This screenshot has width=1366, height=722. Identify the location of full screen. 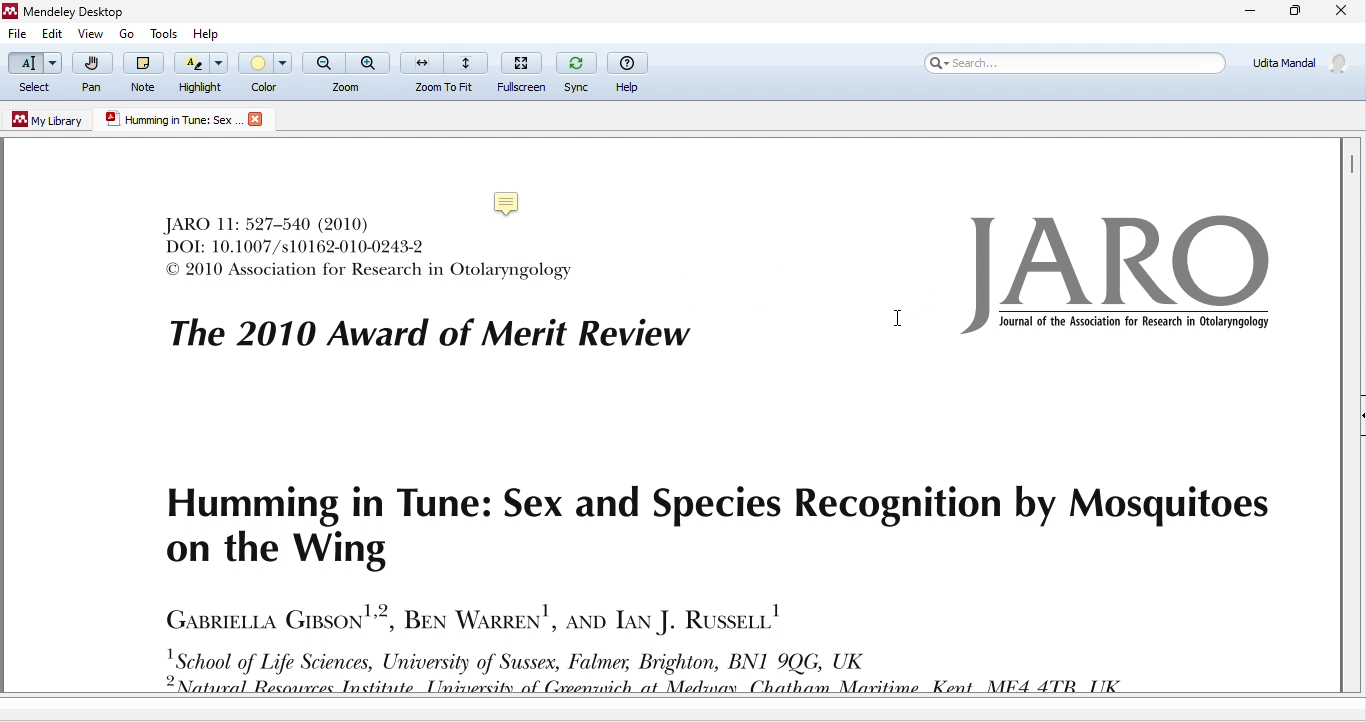
(526, 71).